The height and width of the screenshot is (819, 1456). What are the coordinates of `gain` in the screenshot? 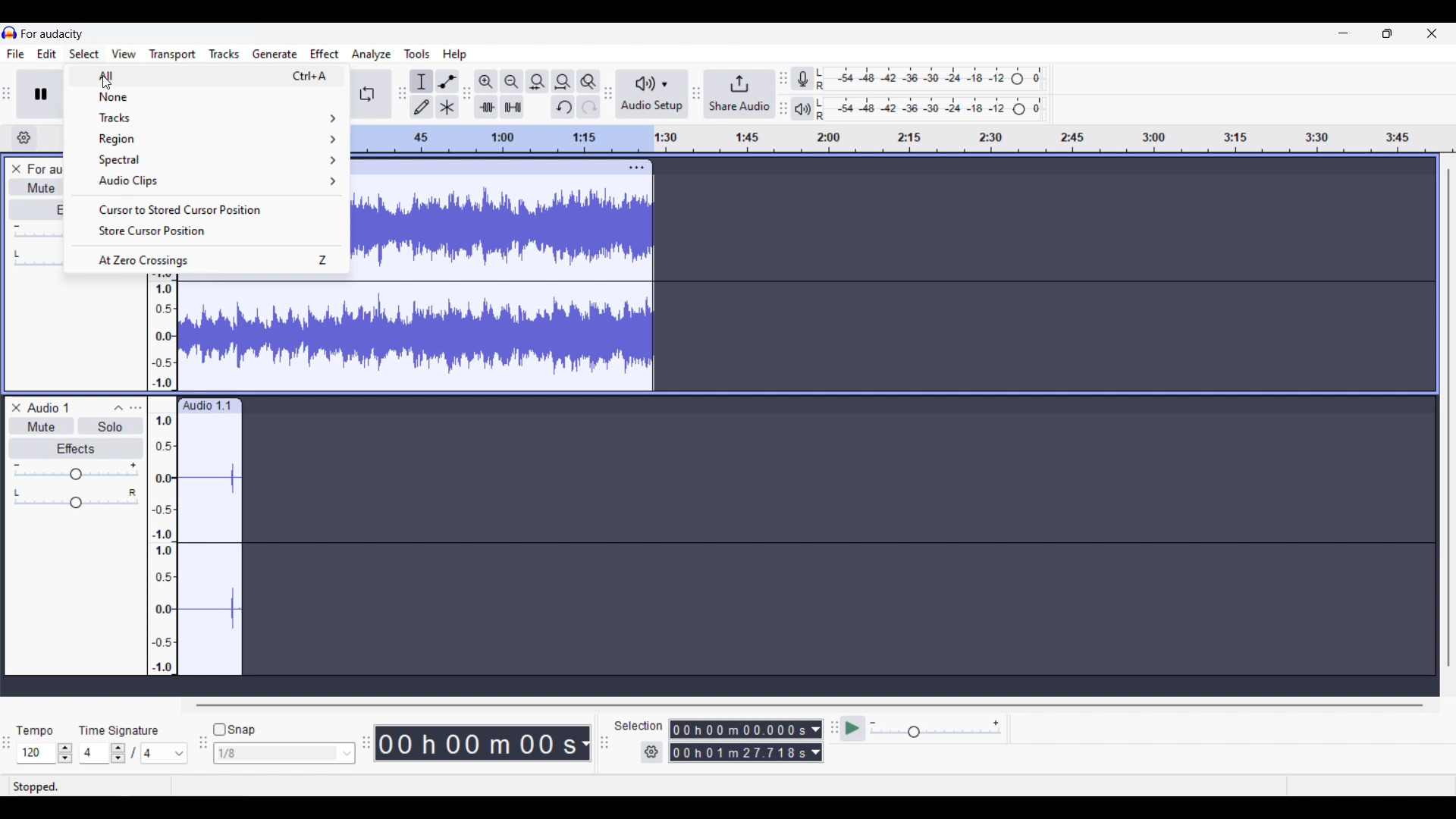 It's located at (76, 472).